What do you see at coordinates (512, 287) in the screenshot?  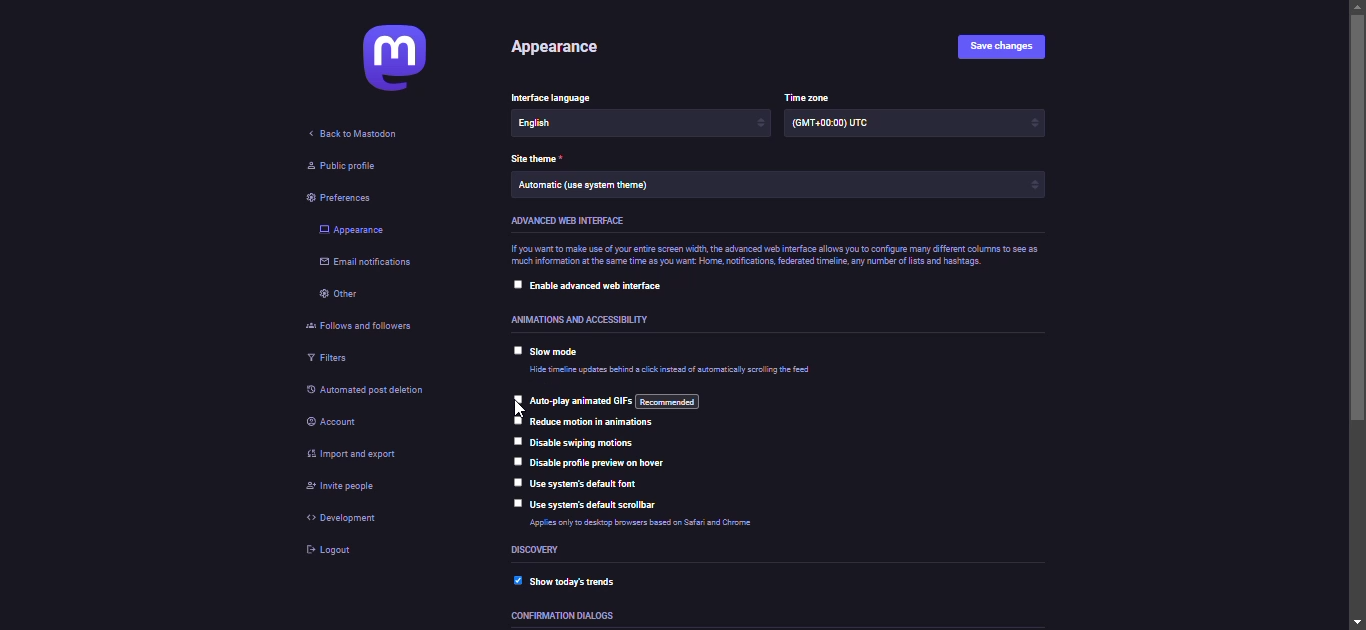 I see `click to select` at bounding box center [512, 287].